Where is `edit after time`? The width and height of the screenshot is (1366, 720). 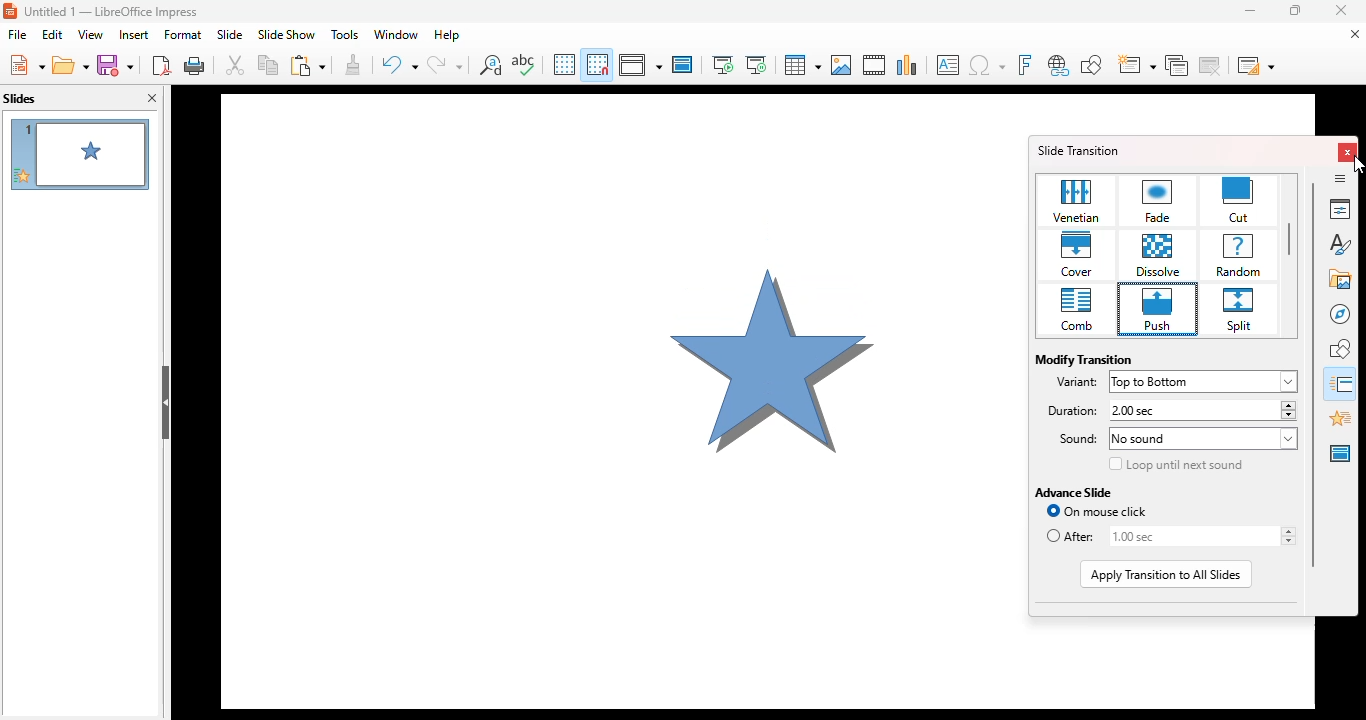
edit after time is located at coordinates (1188, 536).